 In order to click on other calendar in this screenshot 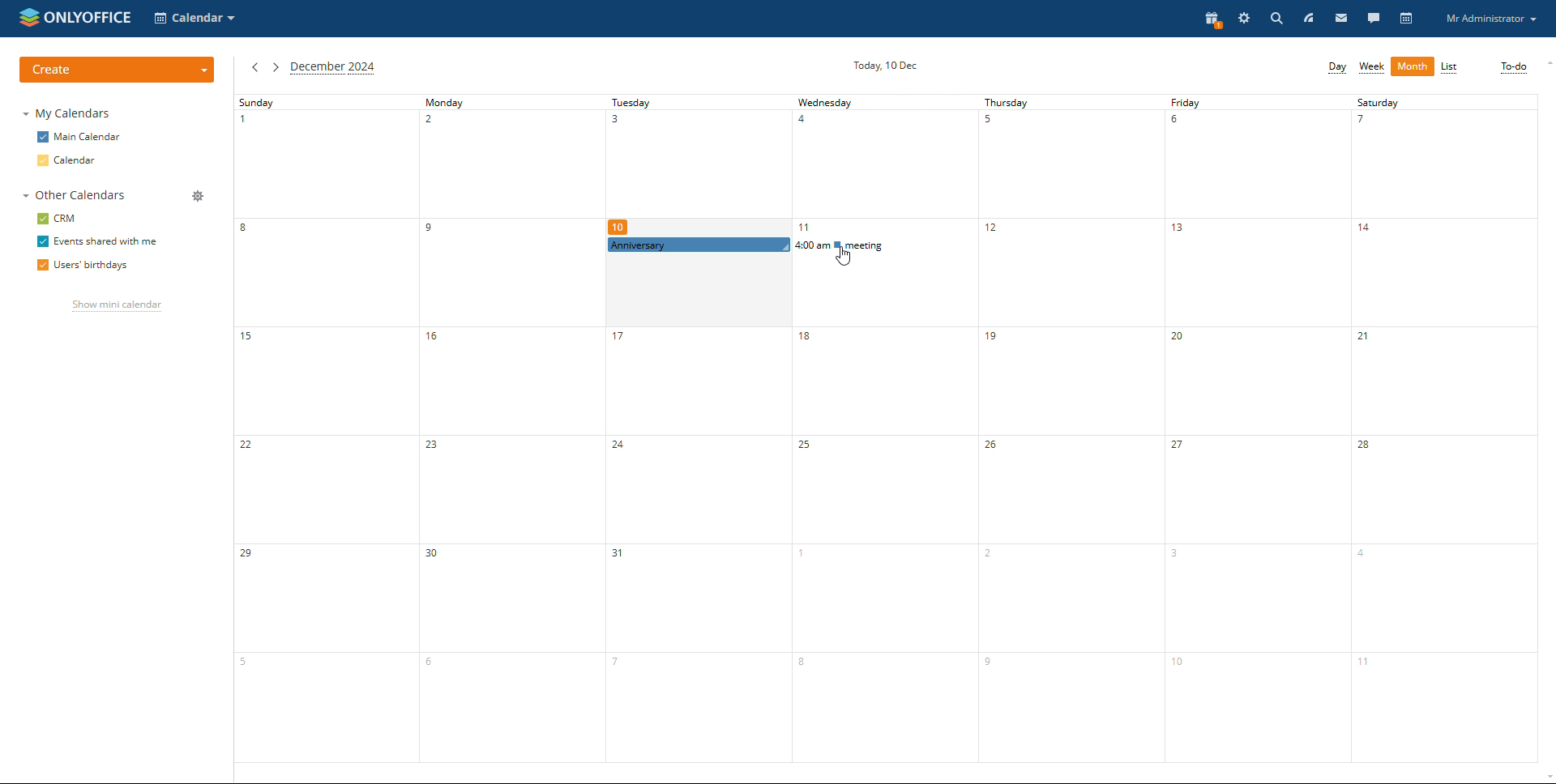, I will do `click(73, 196)`.